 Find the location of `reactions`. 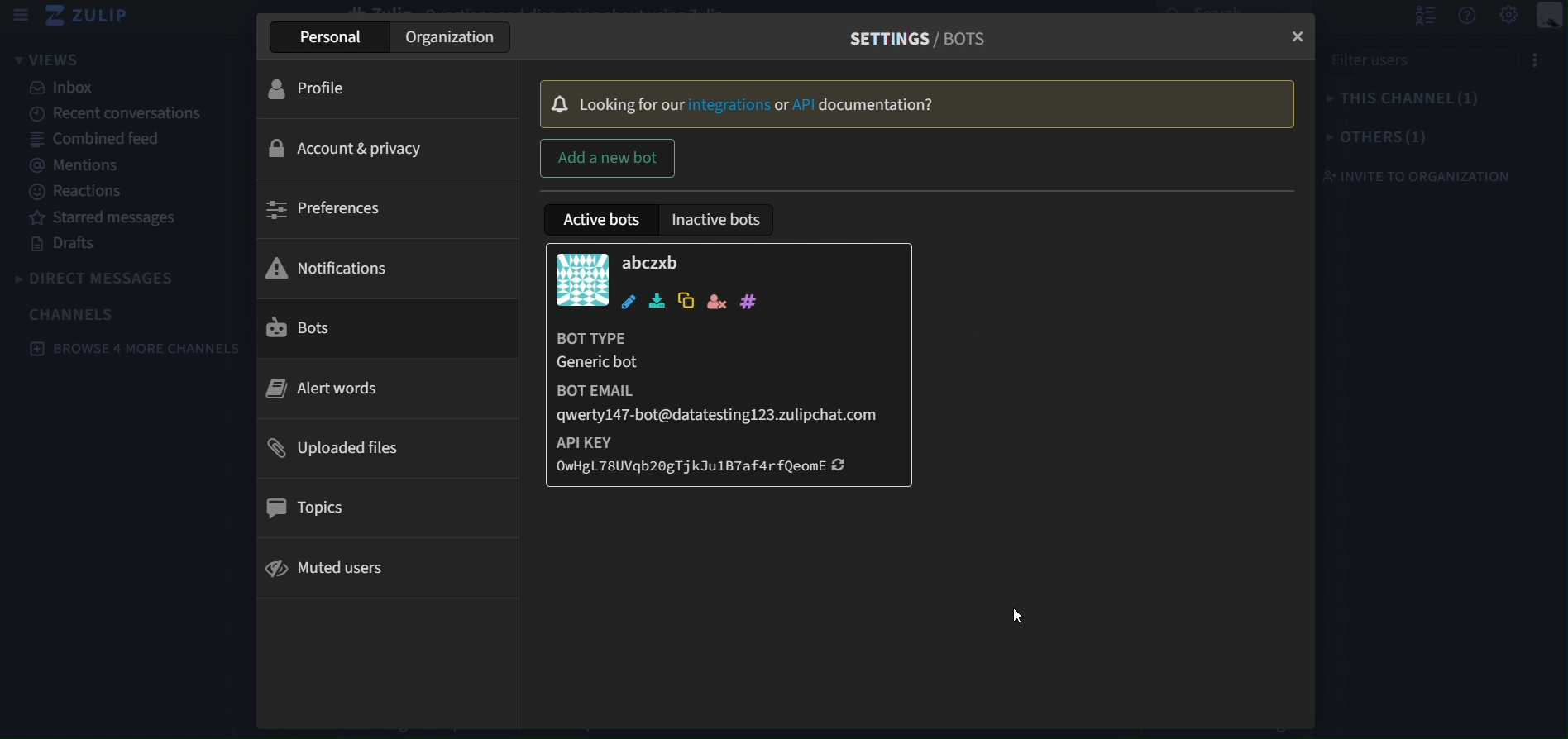

reactions is located at coordinates (79, 192).